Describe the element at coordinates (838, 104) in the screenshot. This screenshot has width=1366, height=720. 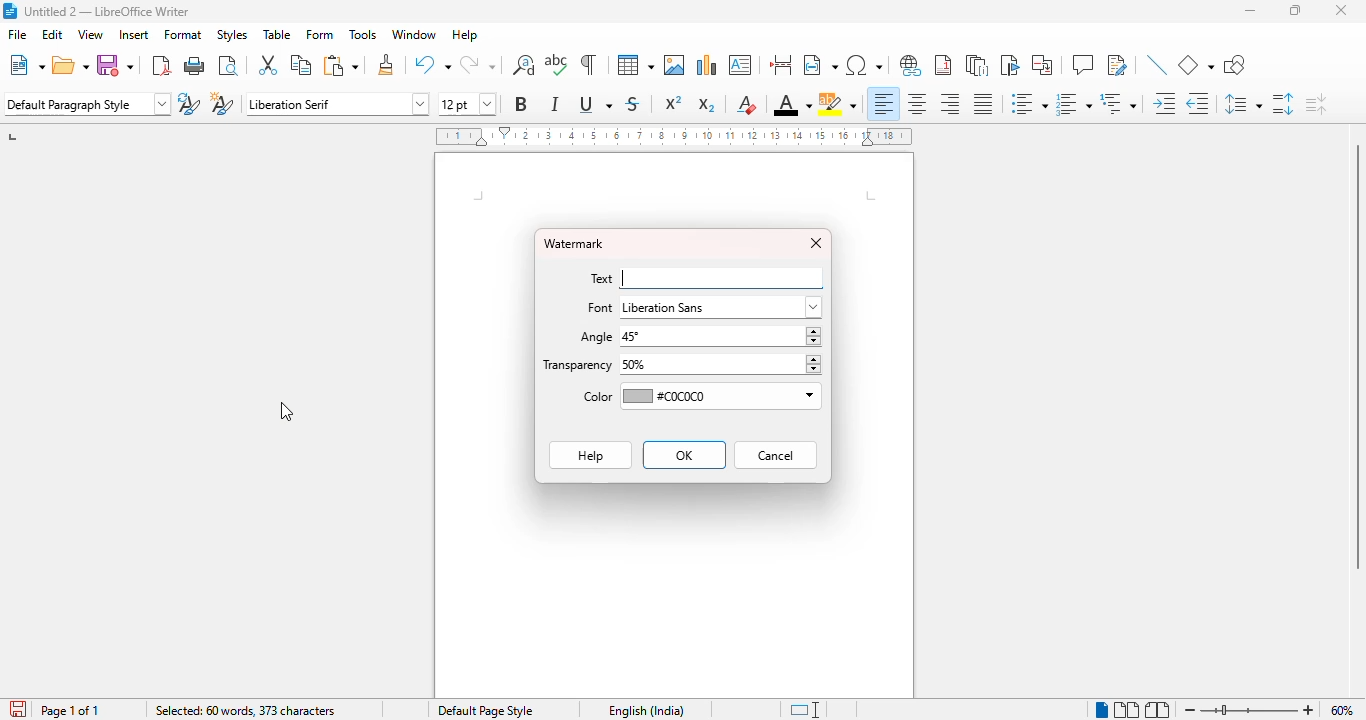
I see `character highlighting color` at that location.